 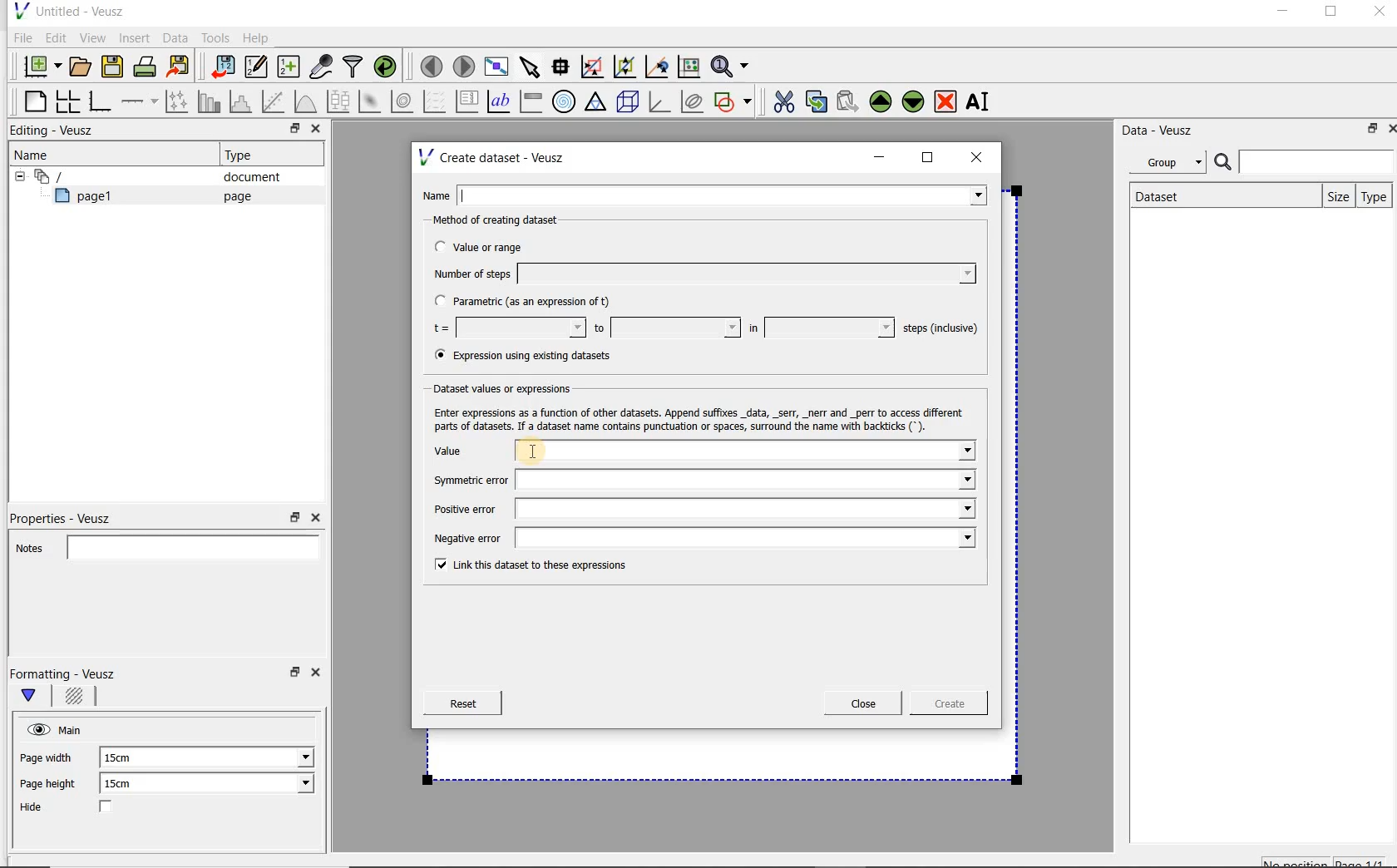 I want to click on document, so click(x=245, y=177).